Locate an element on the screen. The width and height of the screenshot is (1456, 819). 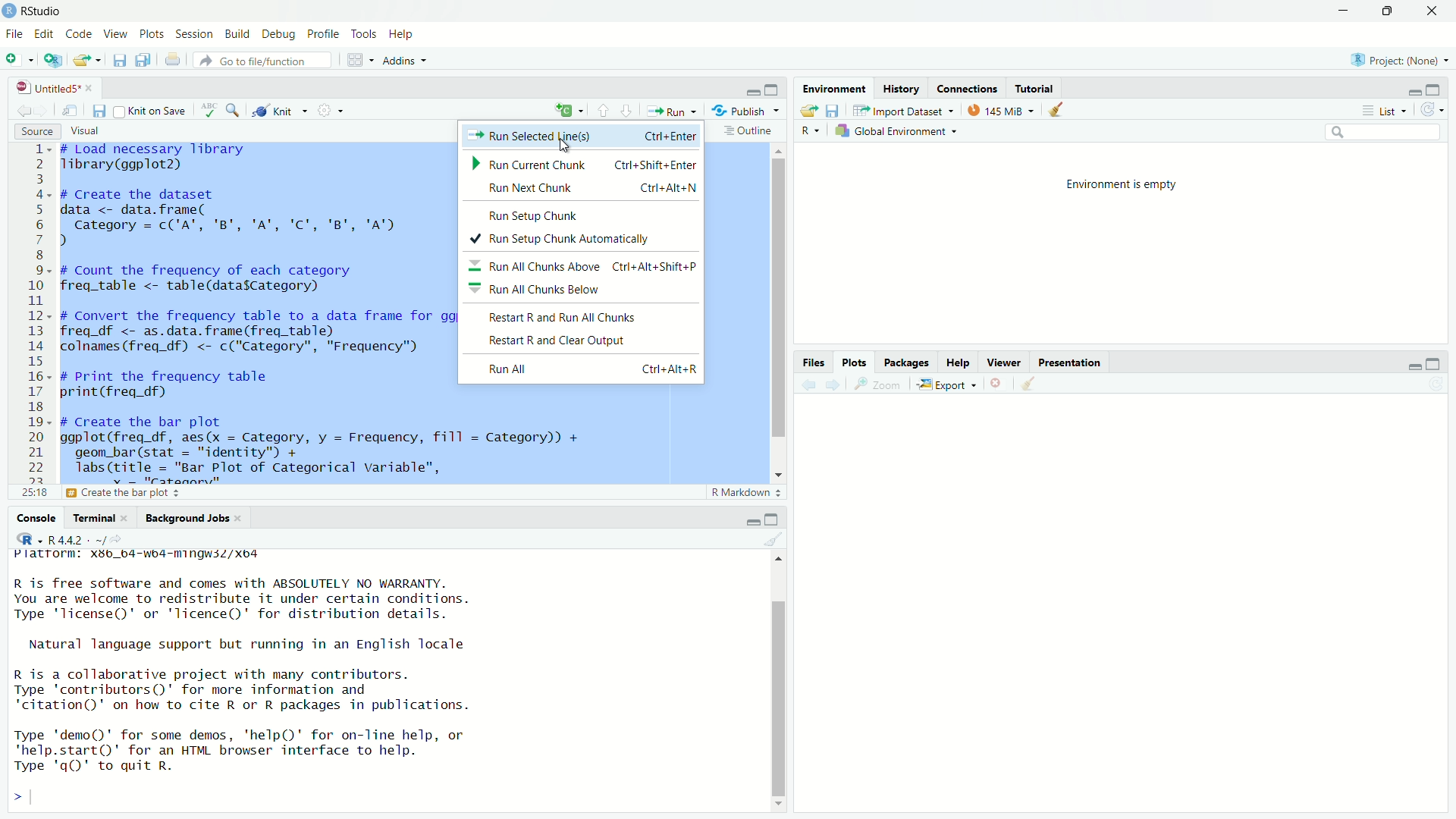
search bar is located at coordinates (1380, 132).